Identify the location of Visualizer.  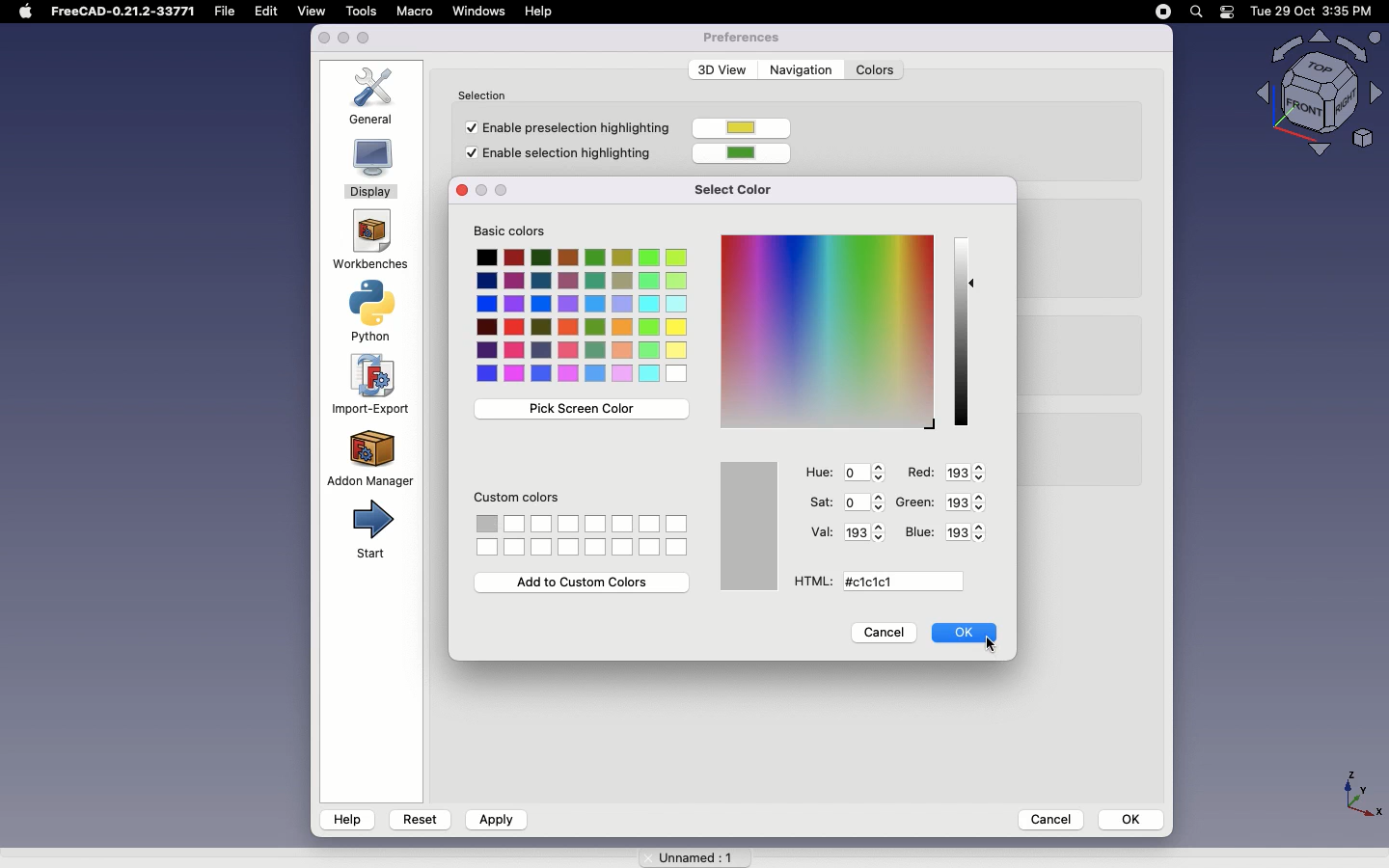
(1312, 95).